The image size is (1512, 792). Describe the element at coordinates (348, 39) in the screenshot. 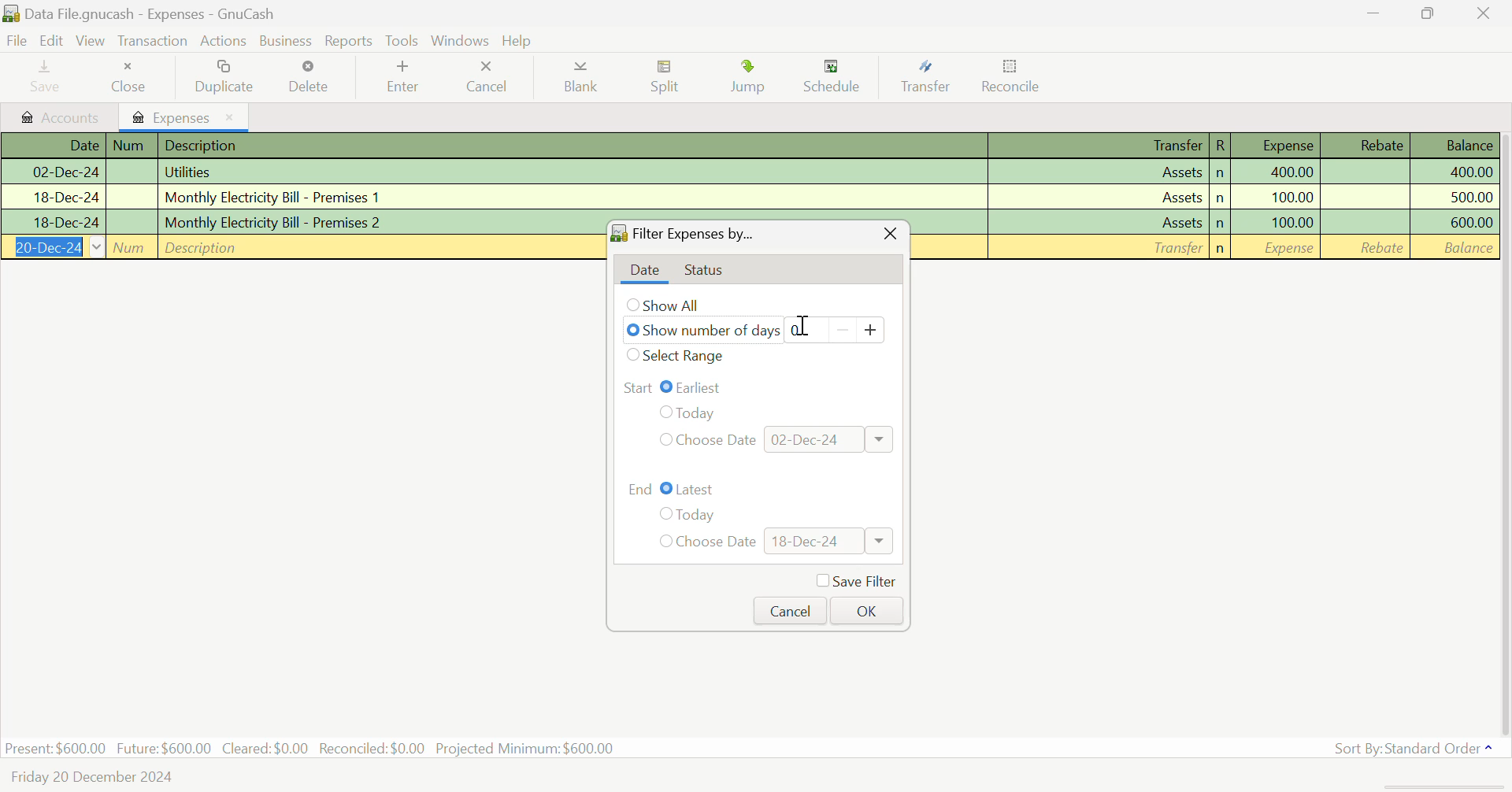

I see `Reports` at that location.